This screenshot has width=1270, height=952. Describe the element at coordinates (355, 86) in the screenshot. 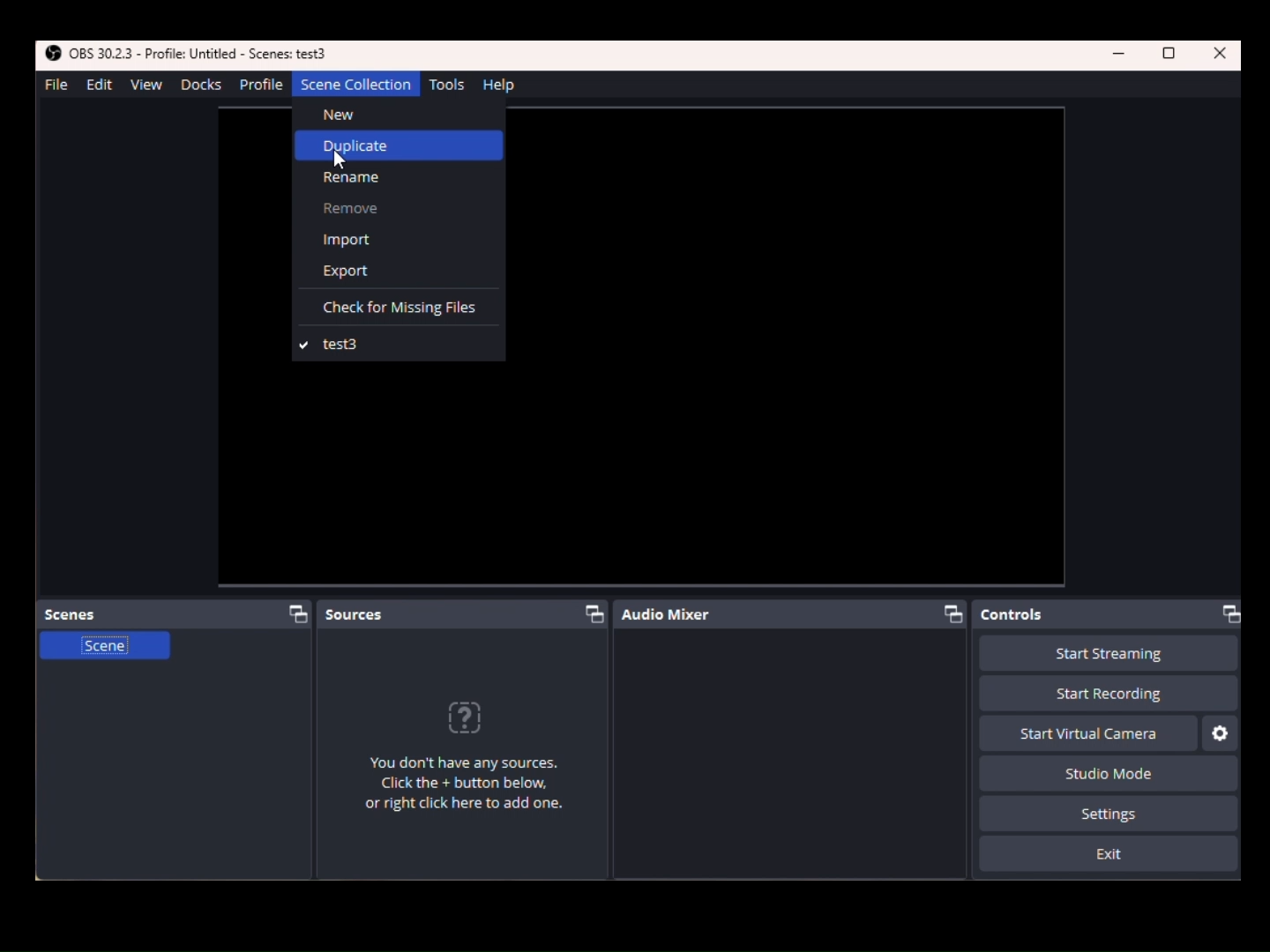

I see `SceneCollection` at that location.